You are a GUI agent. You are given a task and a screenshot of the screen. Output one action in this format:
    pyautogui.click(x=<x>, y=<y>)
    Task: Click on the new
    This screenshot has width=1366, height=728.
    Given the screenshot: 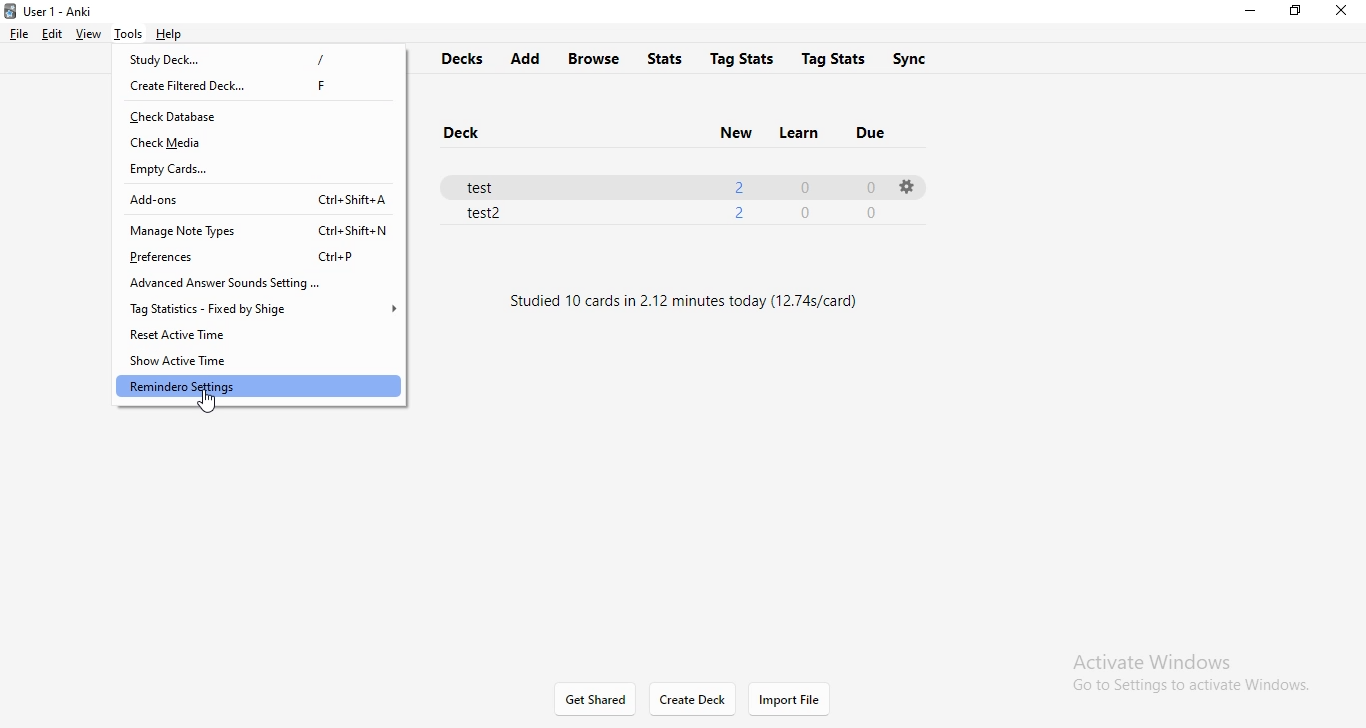 What is the action you would take?
    pyautogui.click(x=734, y=131)
    